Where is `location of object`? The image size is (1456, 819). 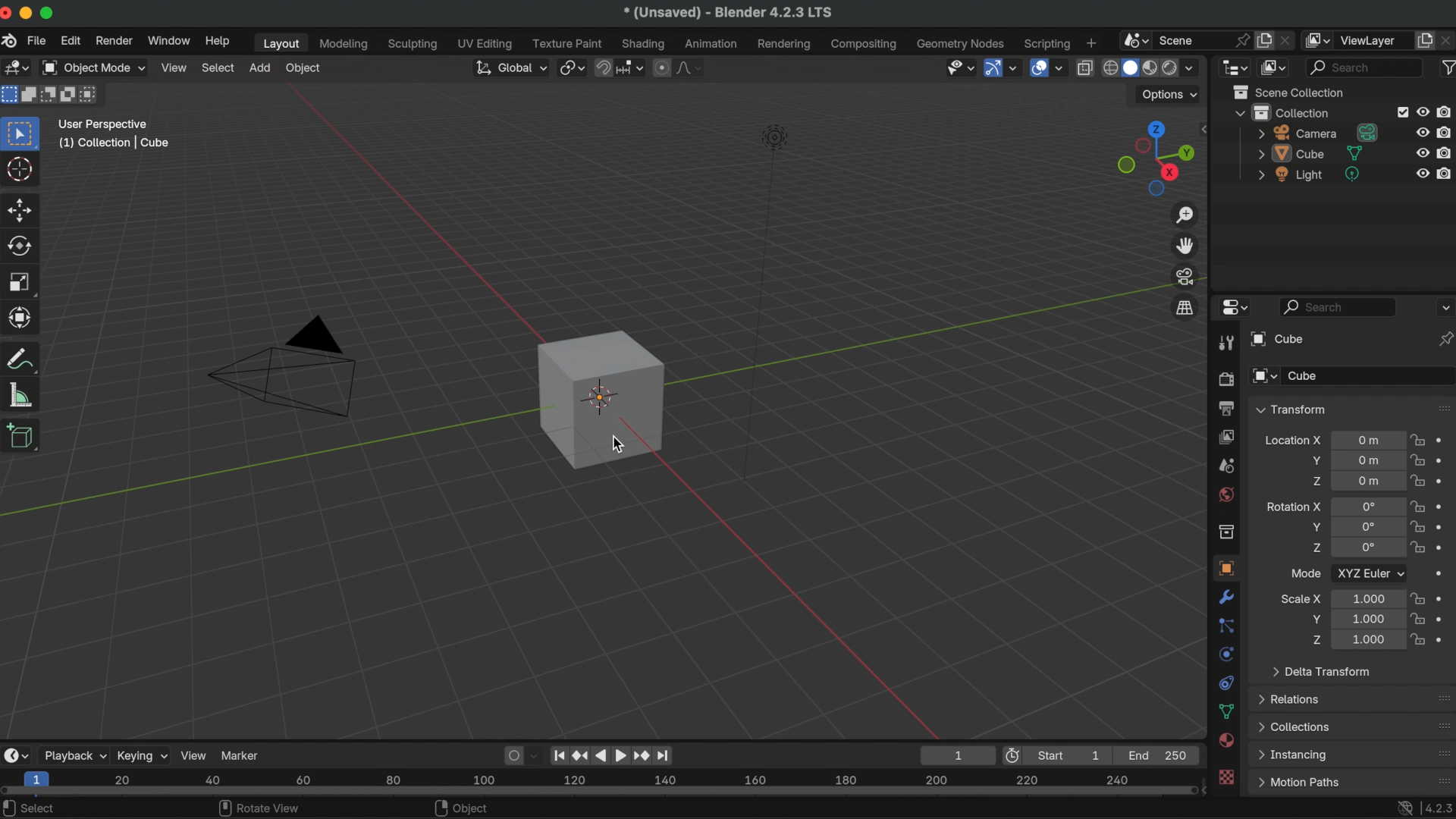 location of object is located at coordinates (1368, 481).